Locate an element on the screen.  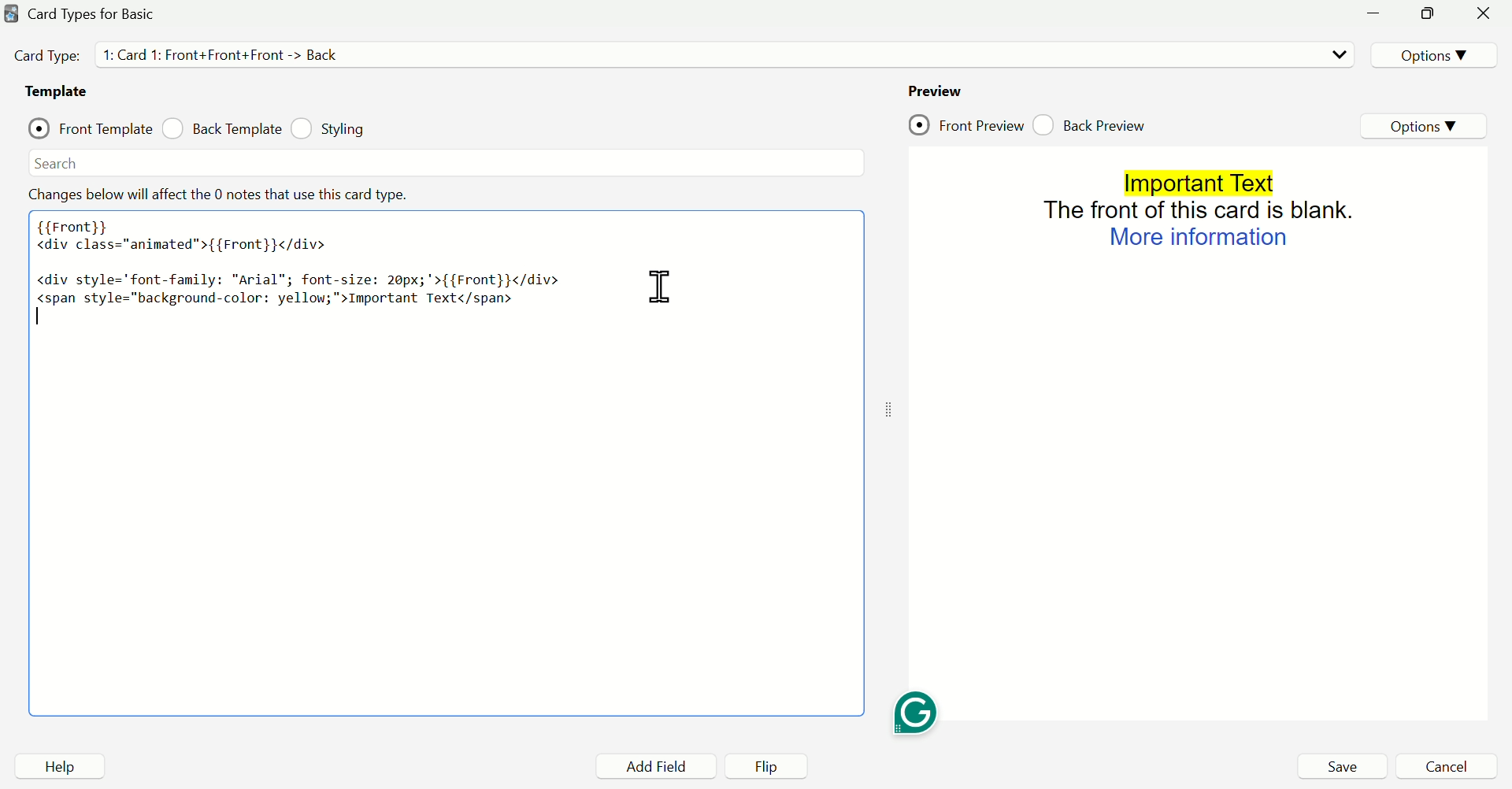
Cancel is located at coordinates (1441, 767).